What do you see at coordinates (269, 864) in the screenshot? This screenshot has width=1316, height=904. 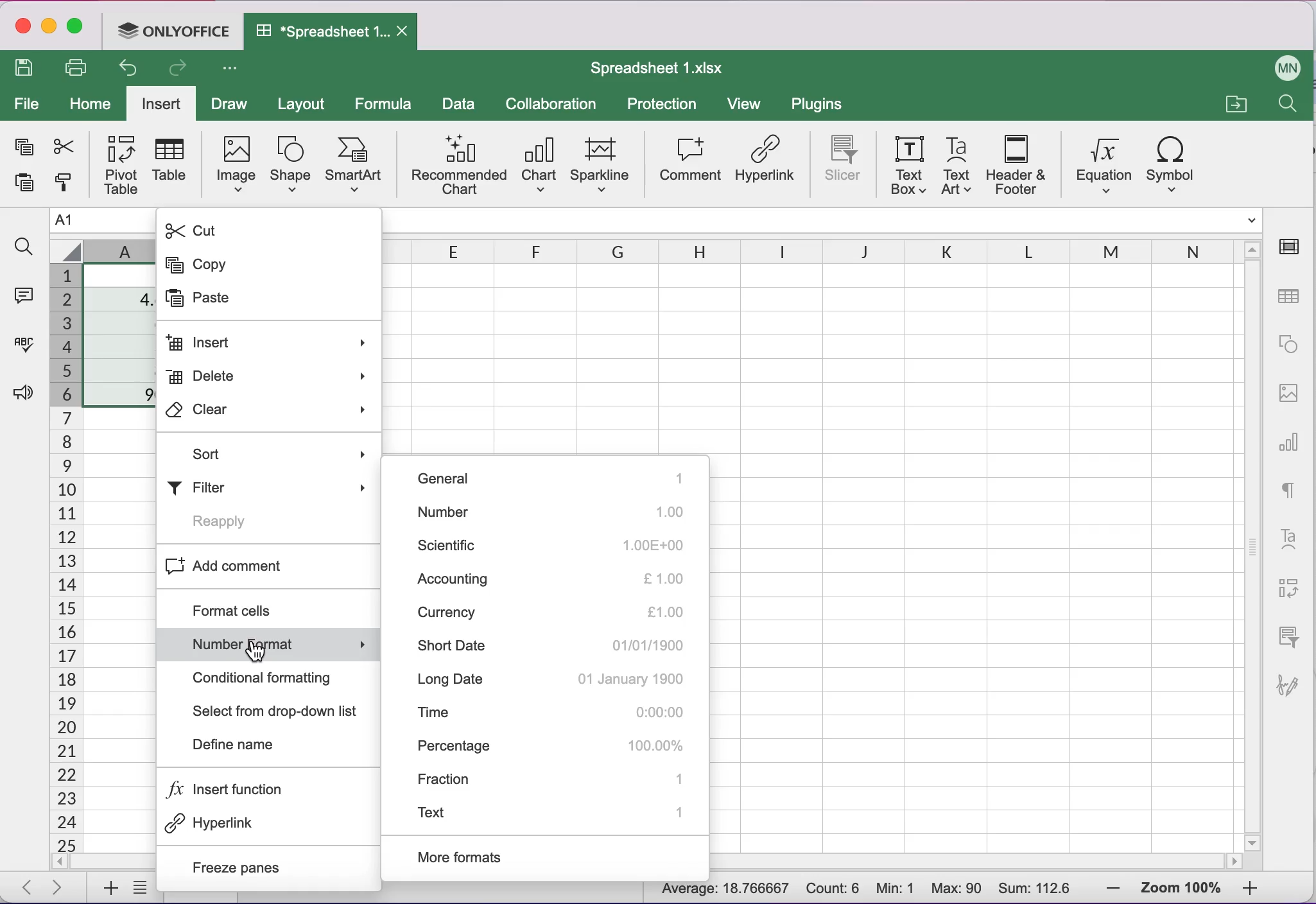 I see `Freeze panes` at bounding box center [269, 864].